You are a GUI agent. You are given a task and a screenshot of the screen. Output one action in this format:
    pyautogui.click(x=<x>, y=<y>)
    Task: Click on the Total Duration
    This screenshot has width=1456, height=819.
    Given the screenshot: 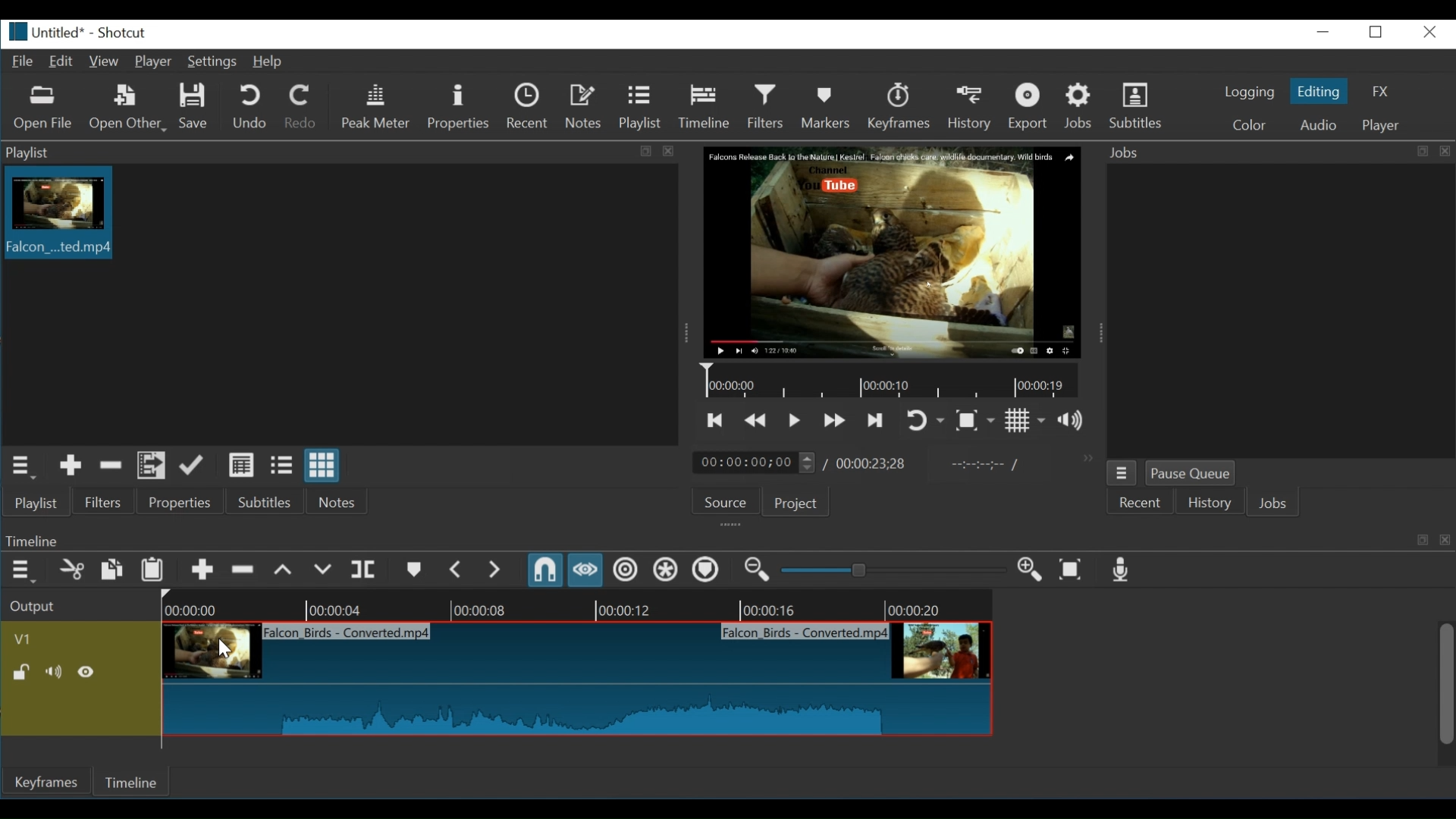 What is the action you would take?
    pyautogui.click(x=871, y=465)
    